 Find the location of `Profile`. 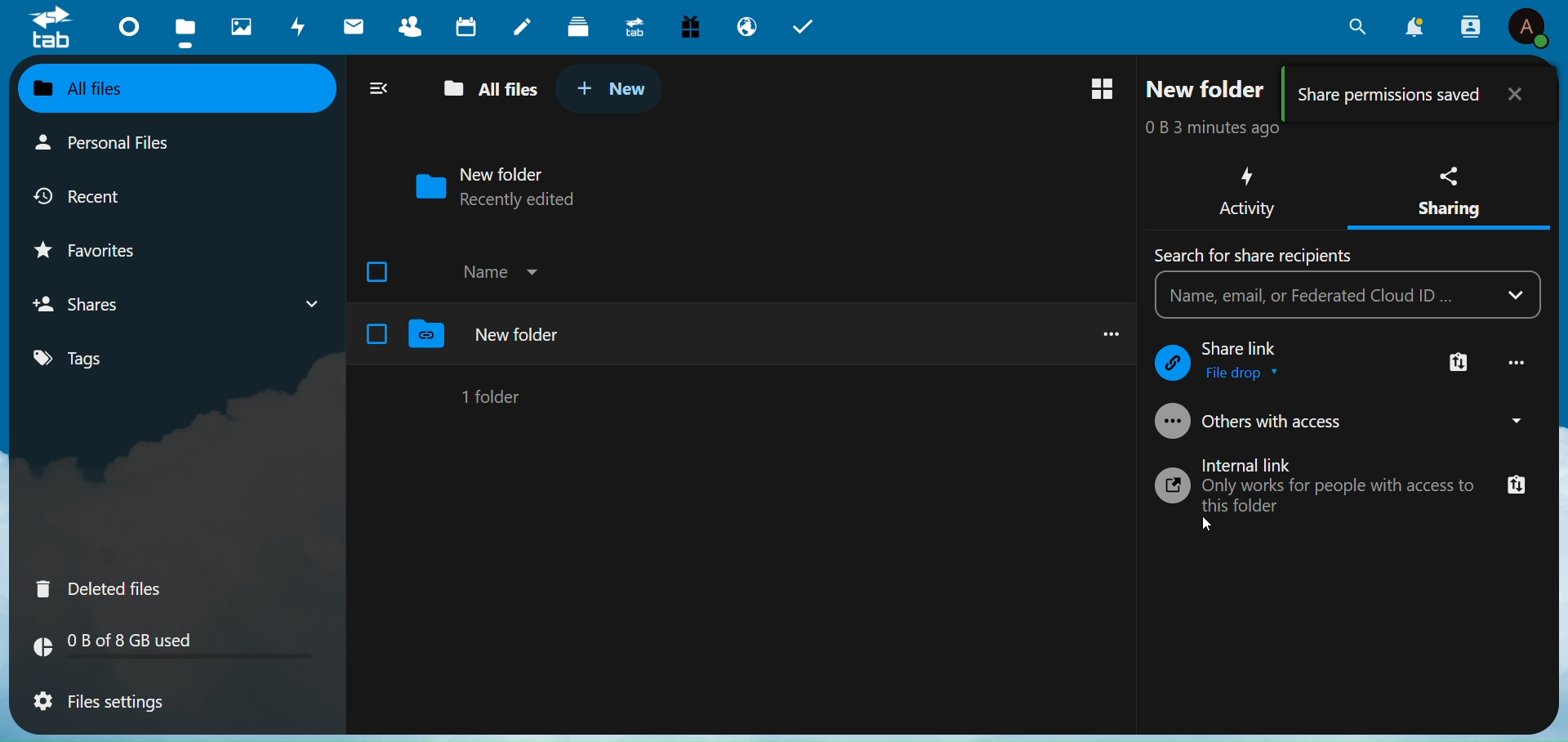

Profile is located at coordinates (1528, 29).